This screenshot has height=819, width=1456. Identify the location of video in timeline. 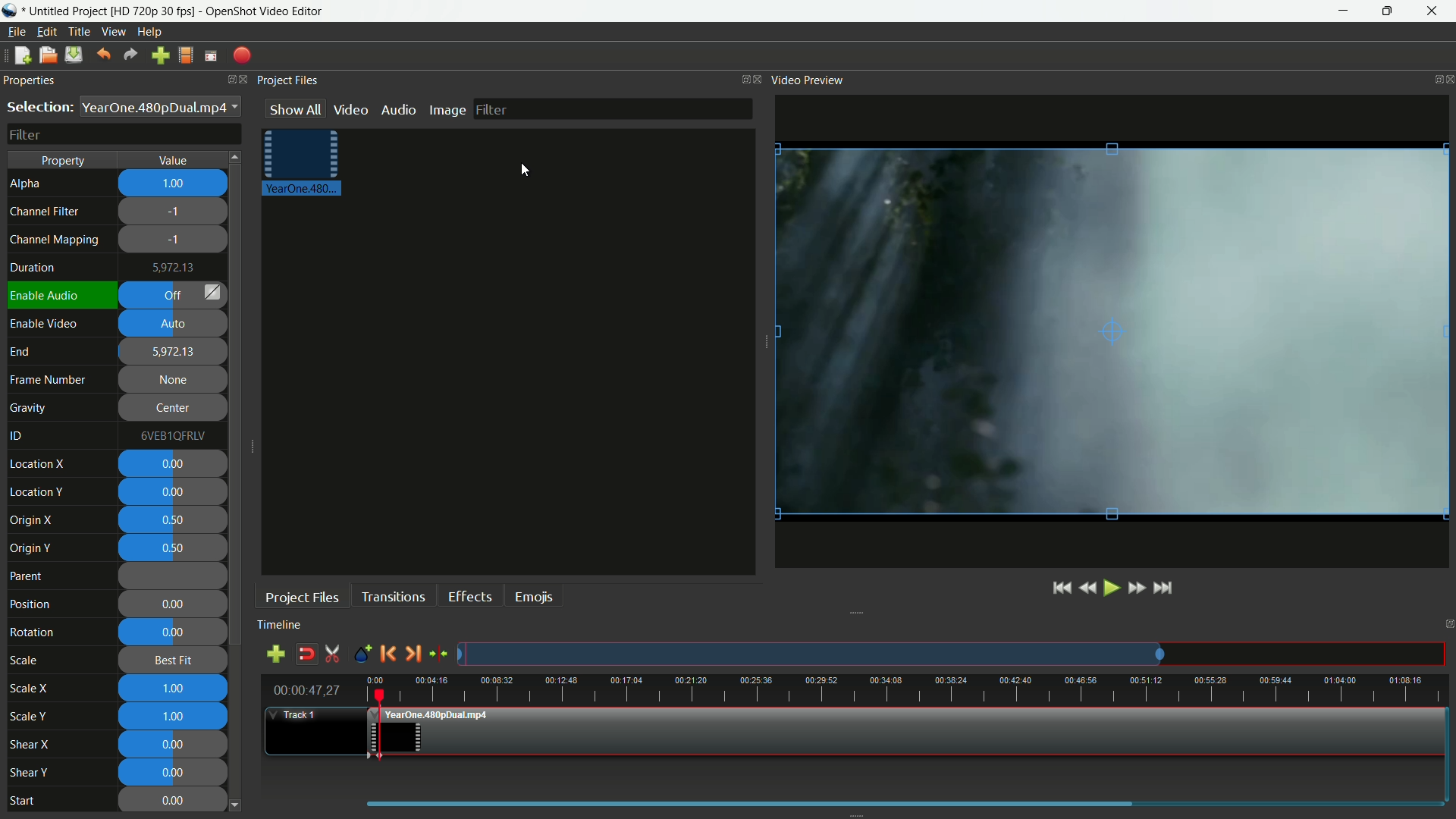
(908, 730).